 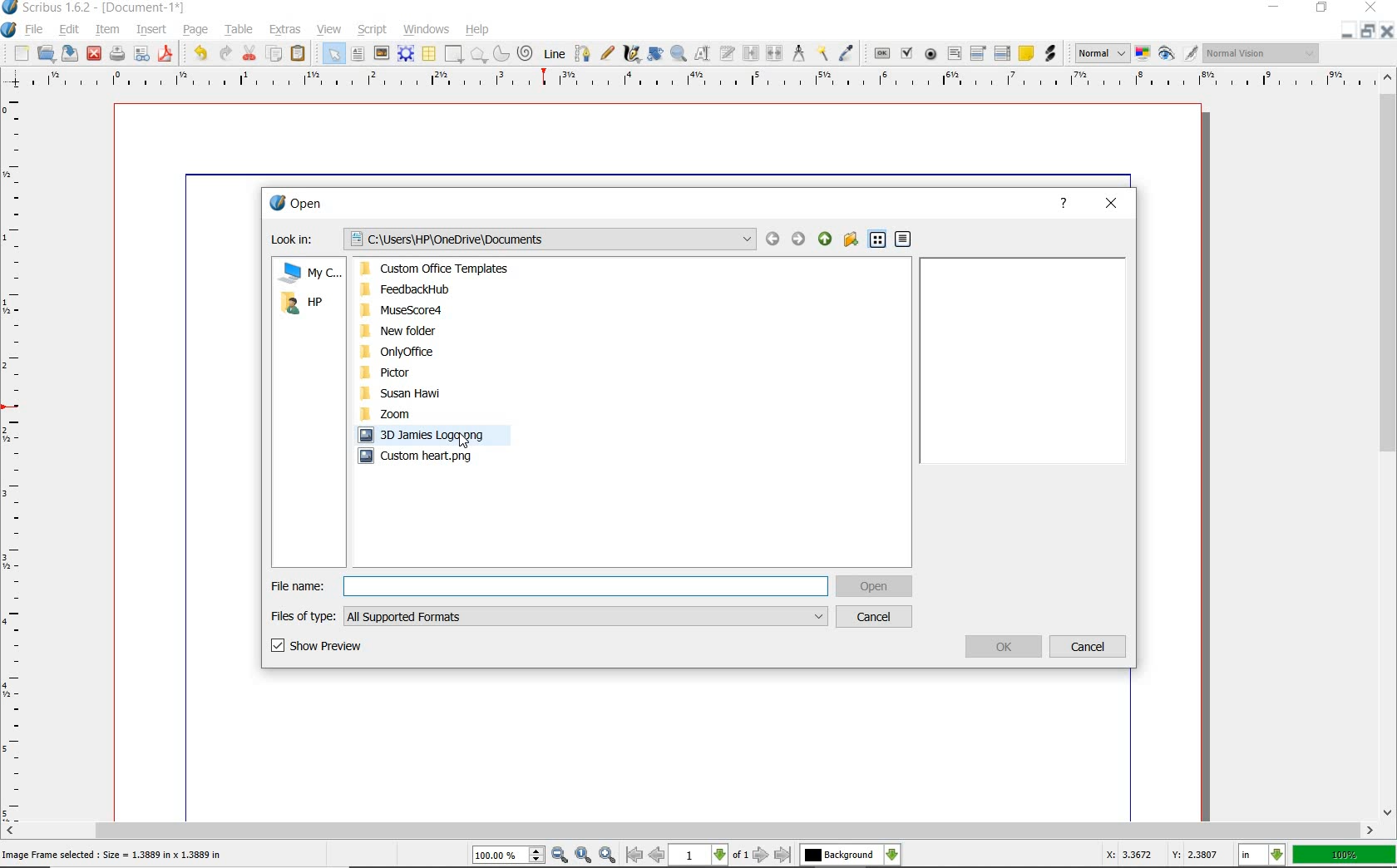 I want to click on Open, so click(x=304, y=206).